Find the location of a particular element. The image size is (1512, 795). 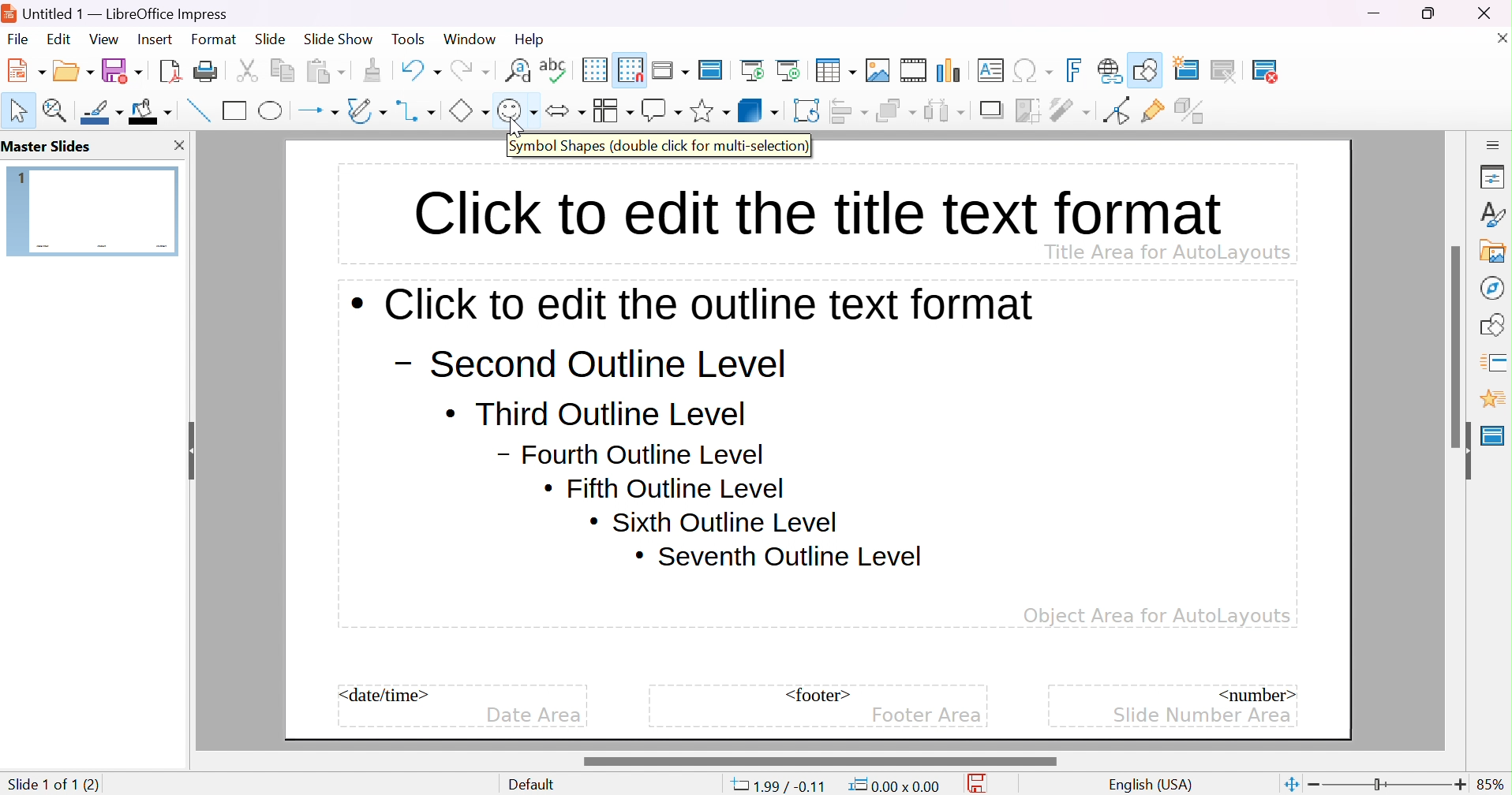

callout shapes is located at coordinates (661, 110).